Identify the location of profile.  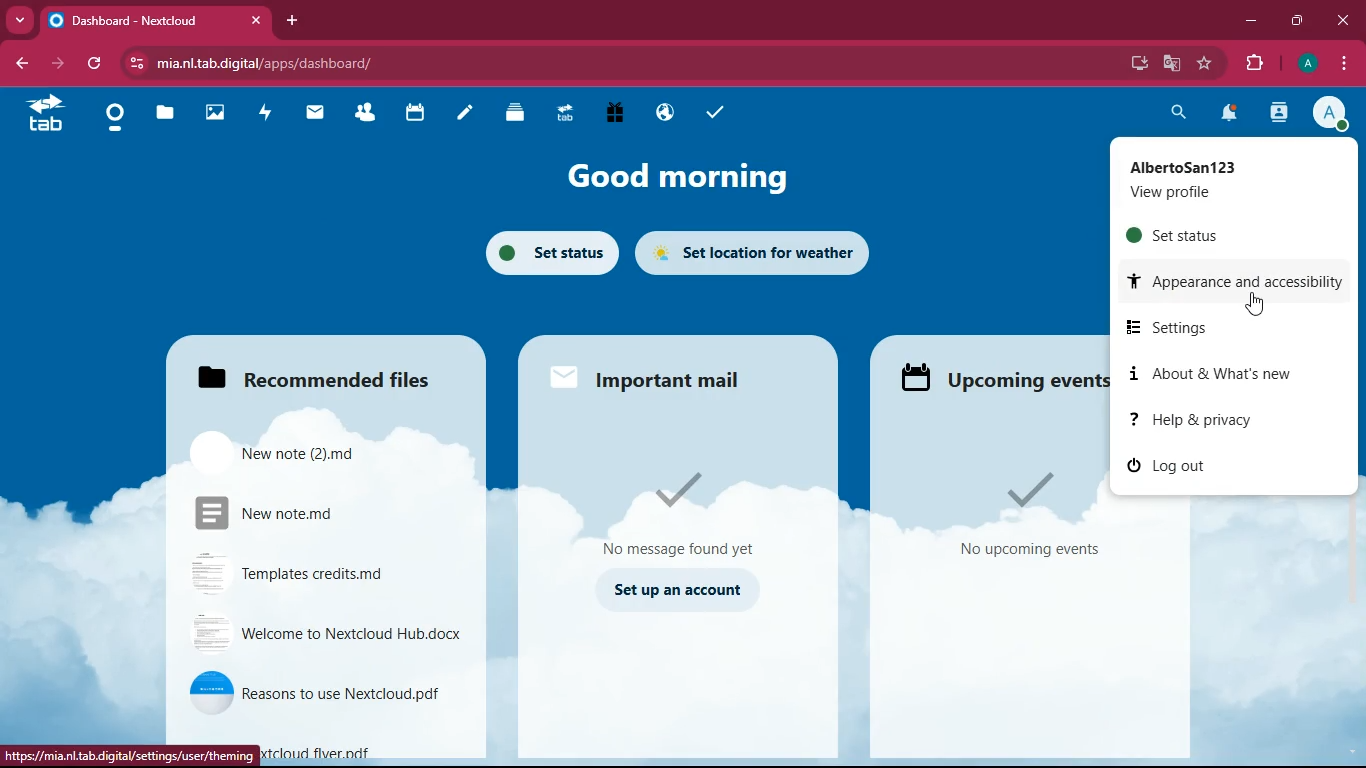
(1333, 114).